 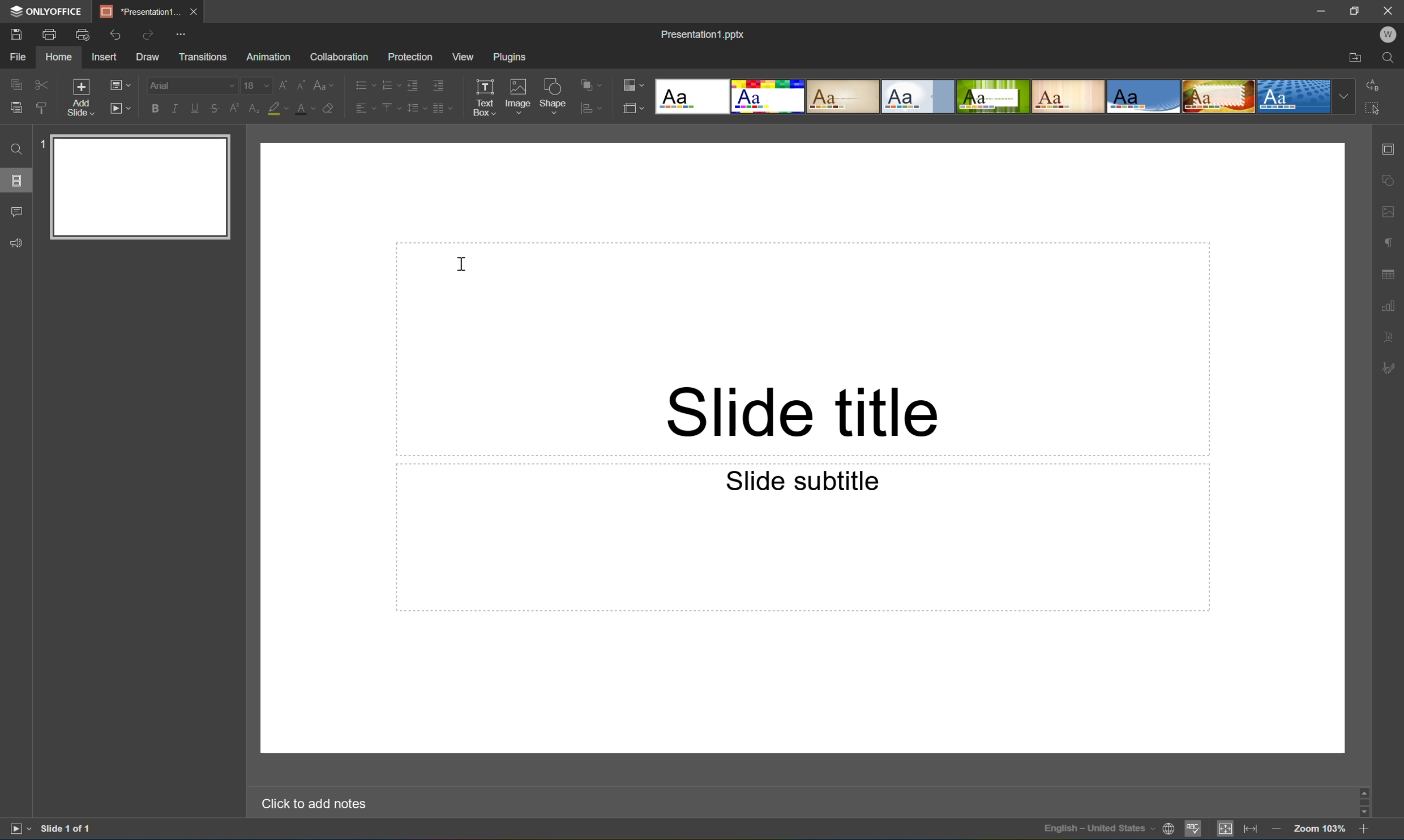 I want to click on Comments, so click(x=16, y=209).